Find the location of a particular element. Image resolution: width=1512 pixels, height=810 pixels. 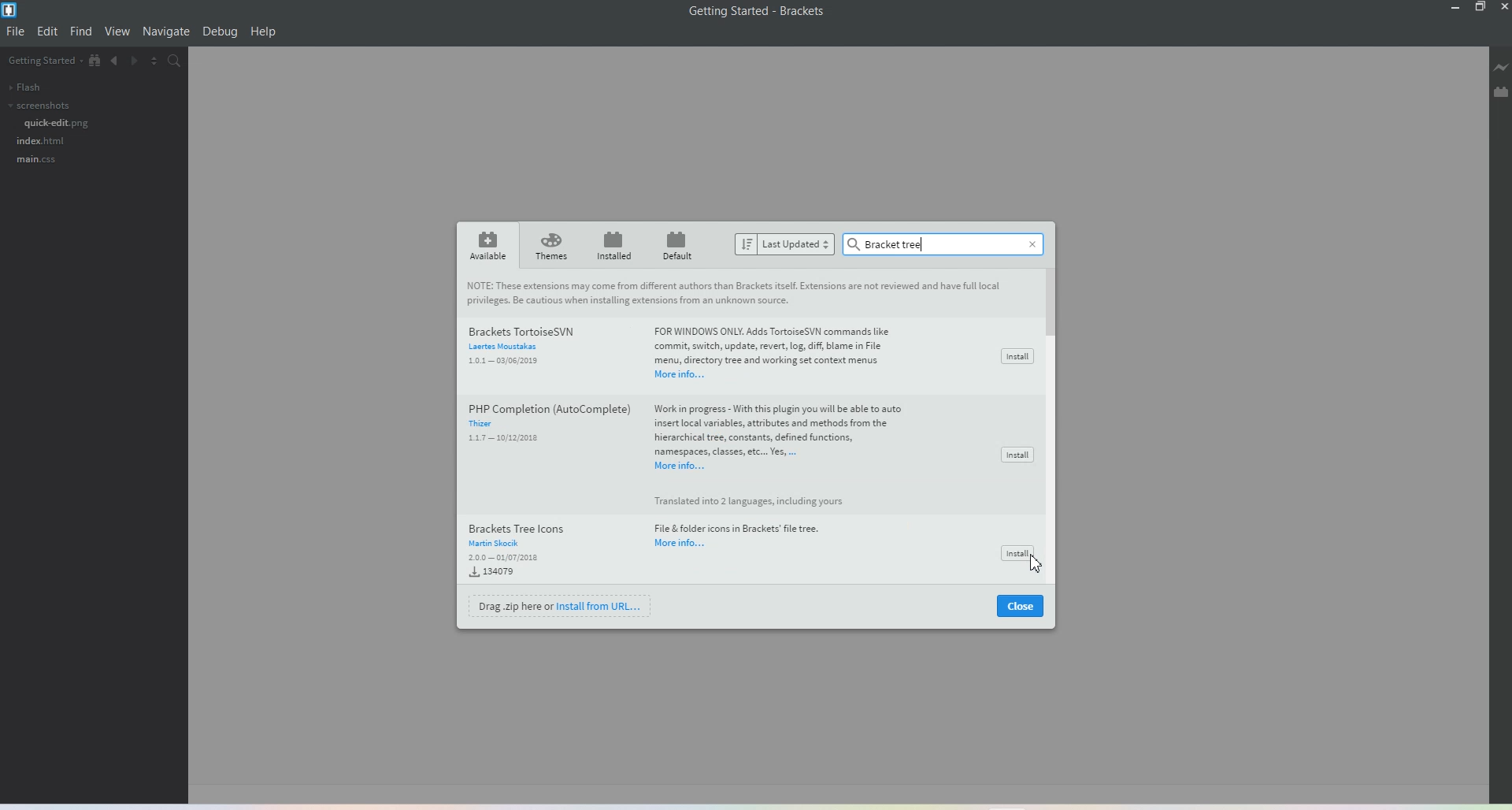

Navigate Forwards is located at coordinates (138, 63).